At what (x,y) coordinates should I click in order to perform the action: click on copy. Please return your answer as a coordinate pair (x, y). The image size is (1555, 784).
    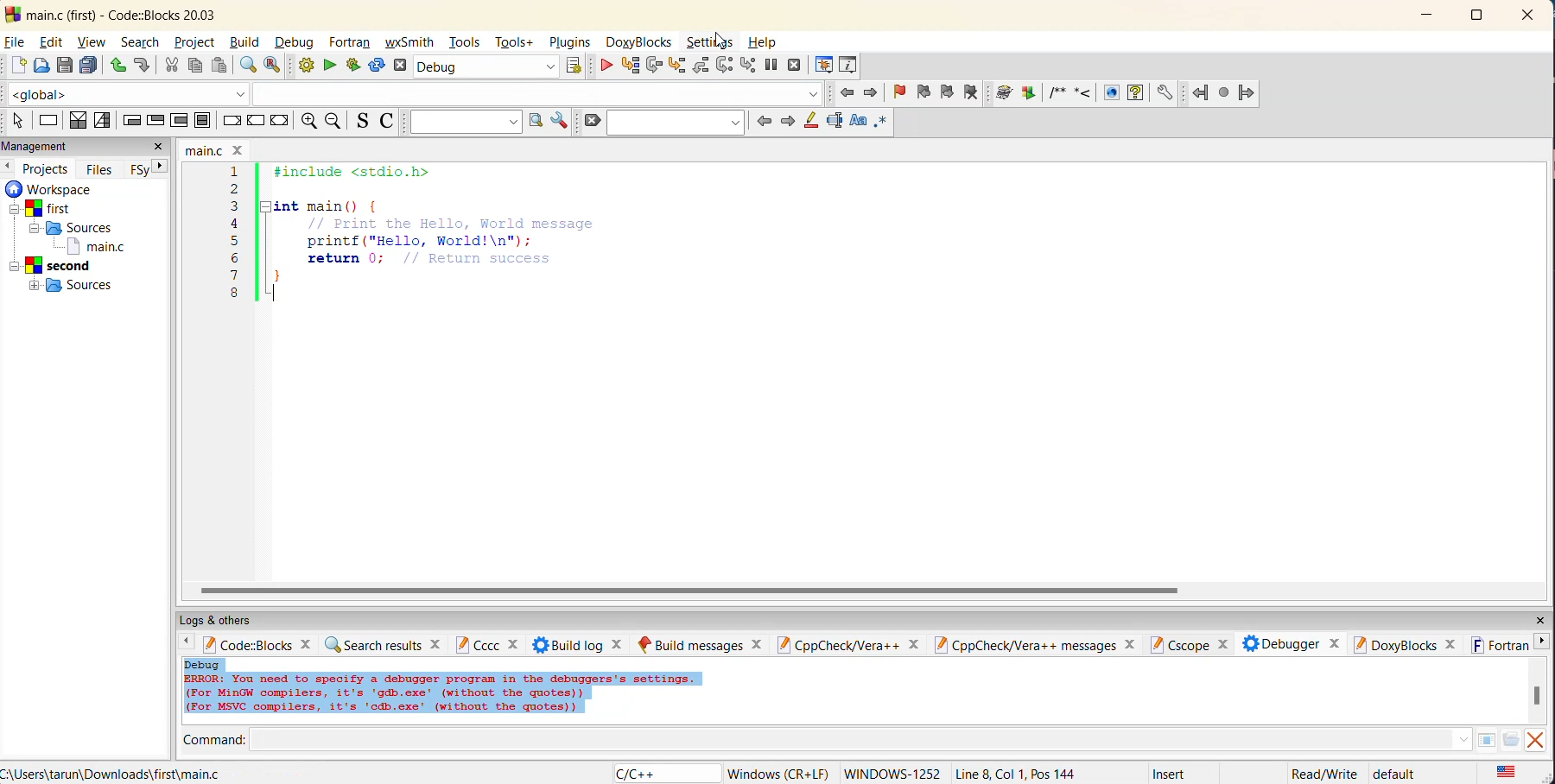
    Looking at the image, I should click on (197, 66).